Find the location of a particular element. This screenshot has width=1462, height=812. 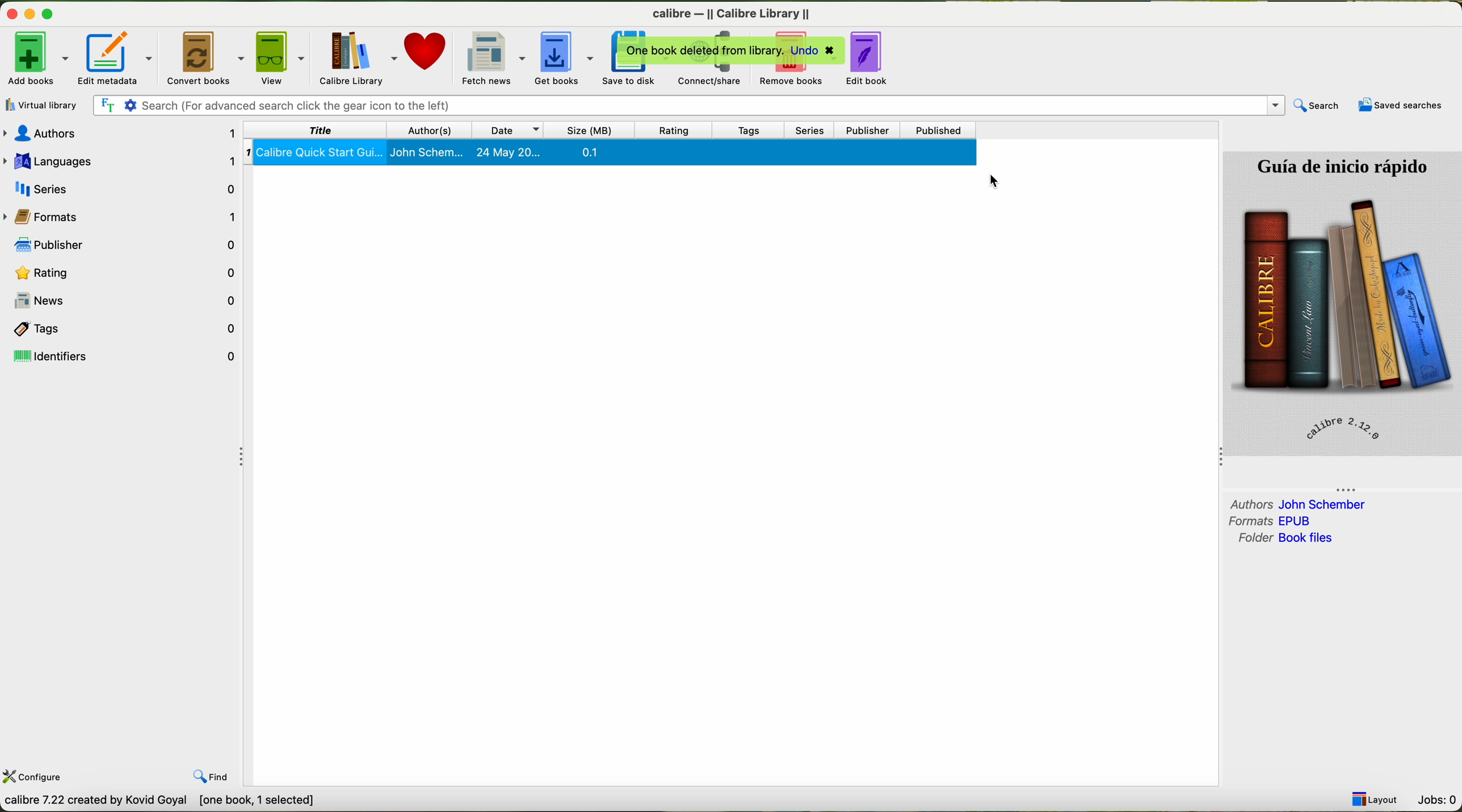

layout is located at coordinates (1378, 800).